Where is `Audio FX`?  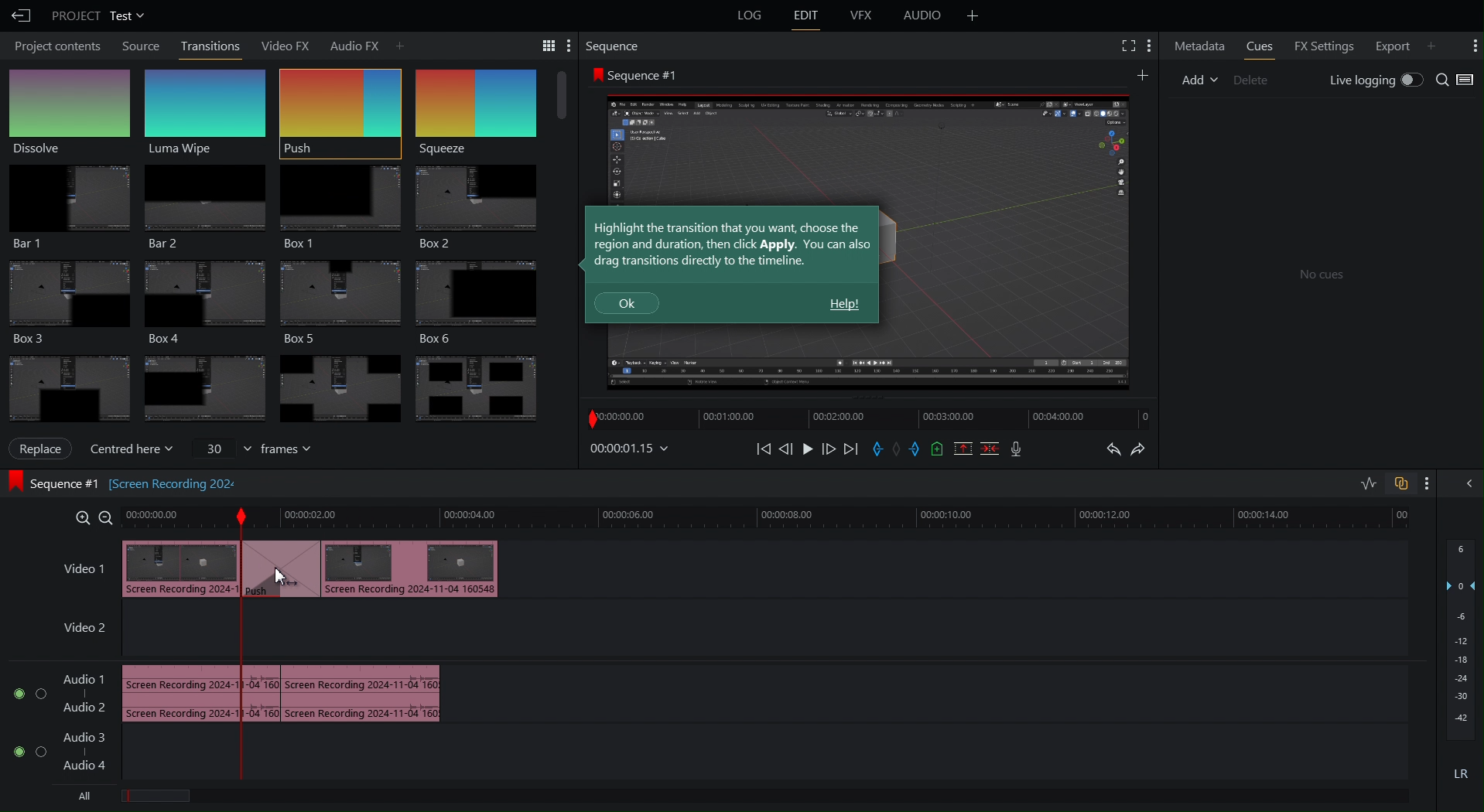
Audio FX is located at coordinates (350, 43).